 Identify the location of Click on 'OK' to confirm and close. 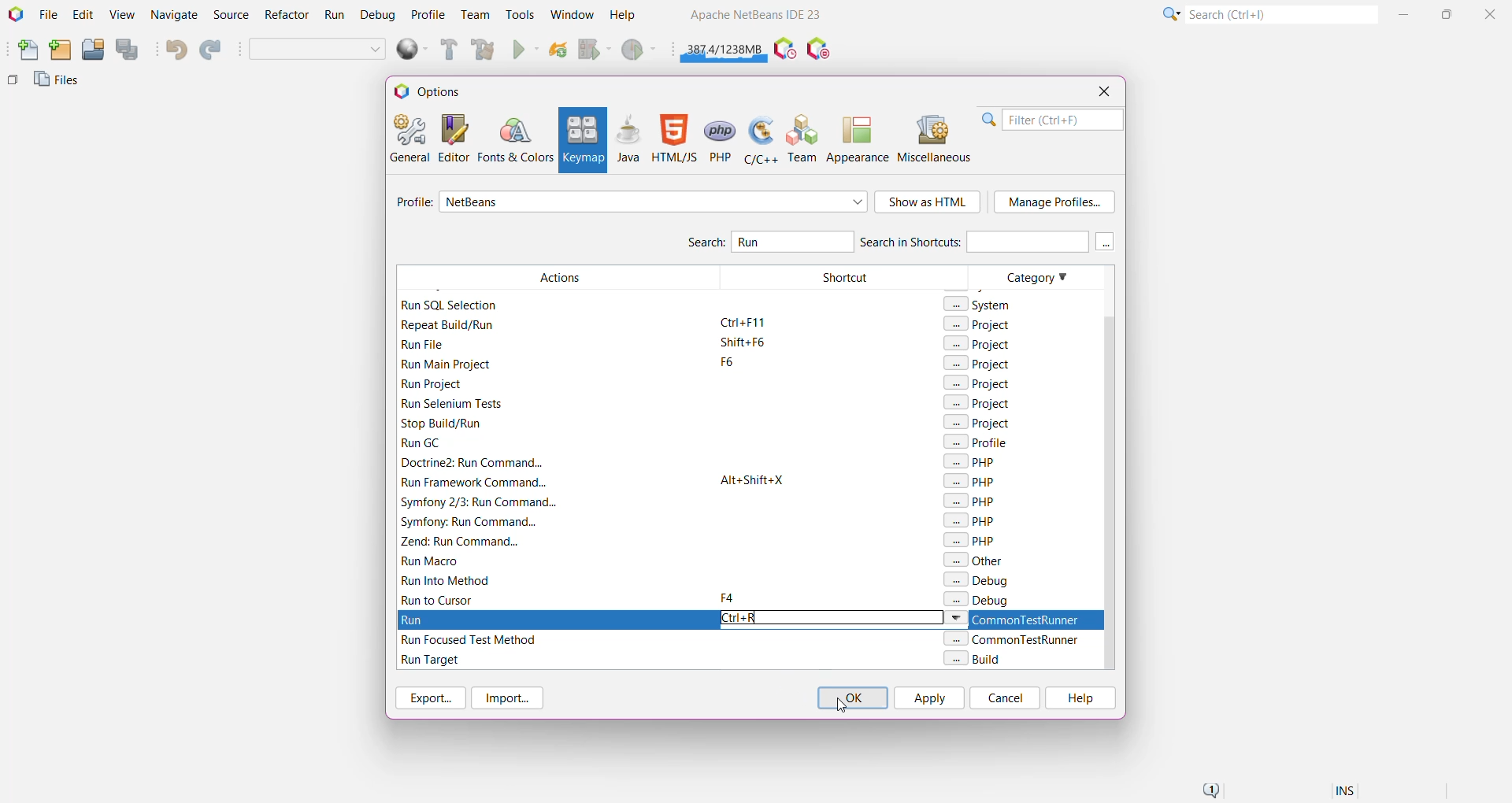
(855, 696).